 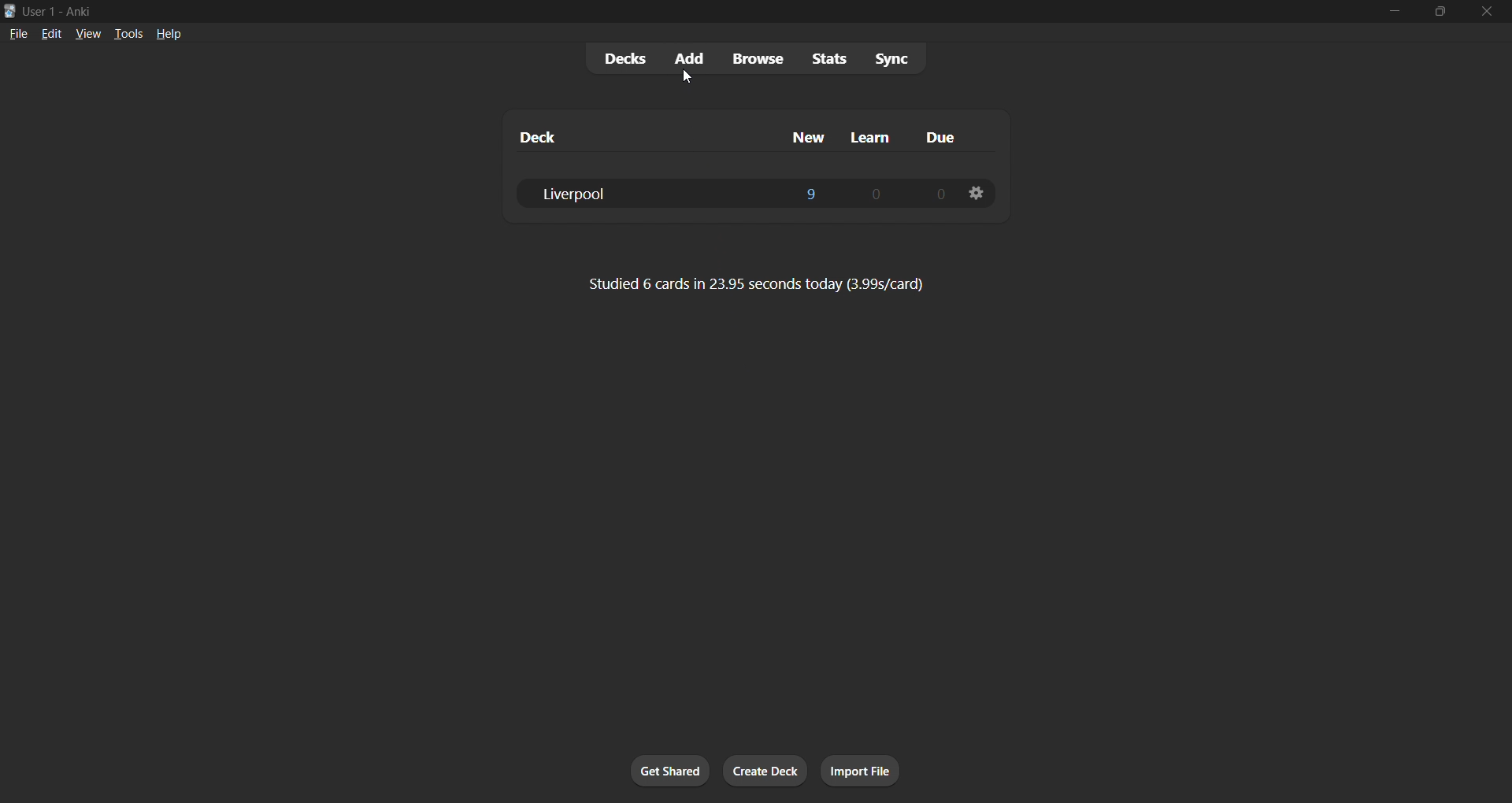 I want to click on close, so click(x=1487, y=12).